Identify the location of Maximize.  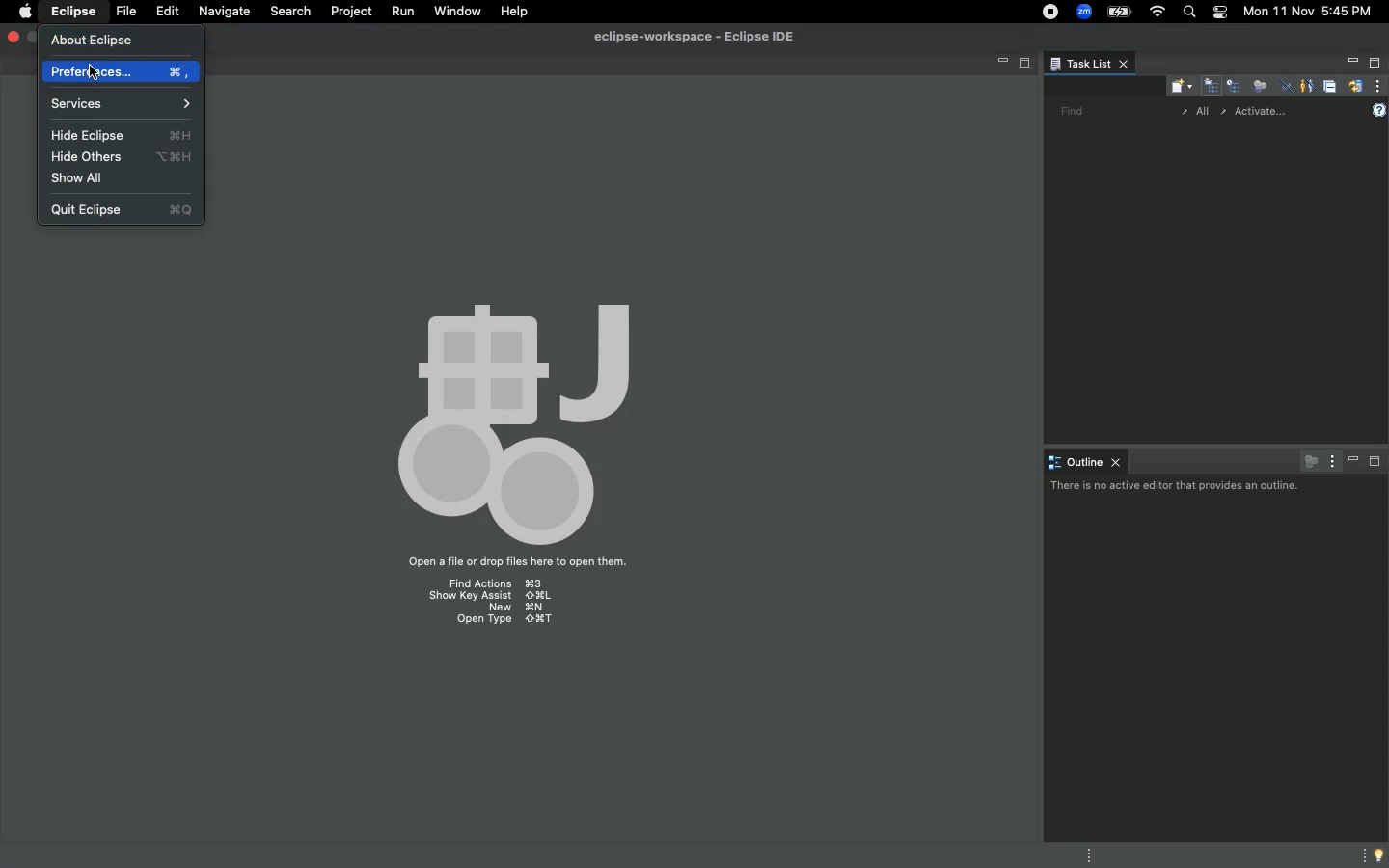
(1025, 66).